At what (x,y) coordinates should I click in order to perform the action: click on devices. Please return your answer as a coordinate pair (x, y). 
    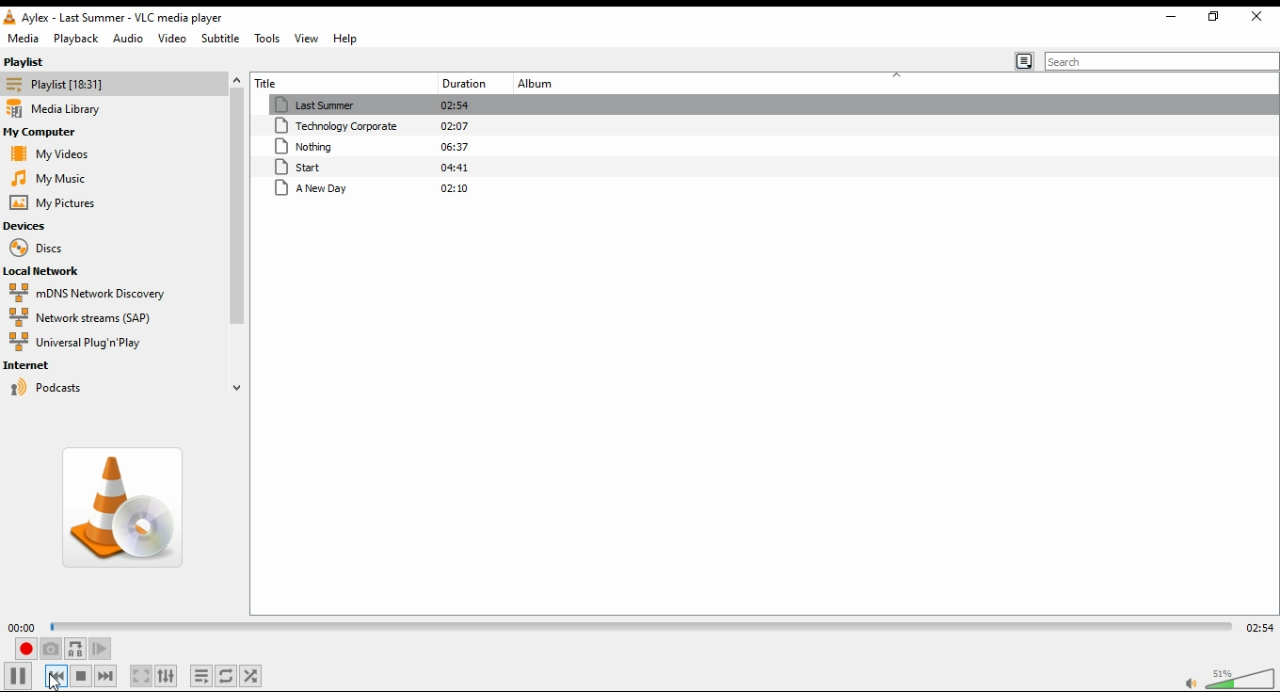
    Looking at the image, I should click on (36, 226).